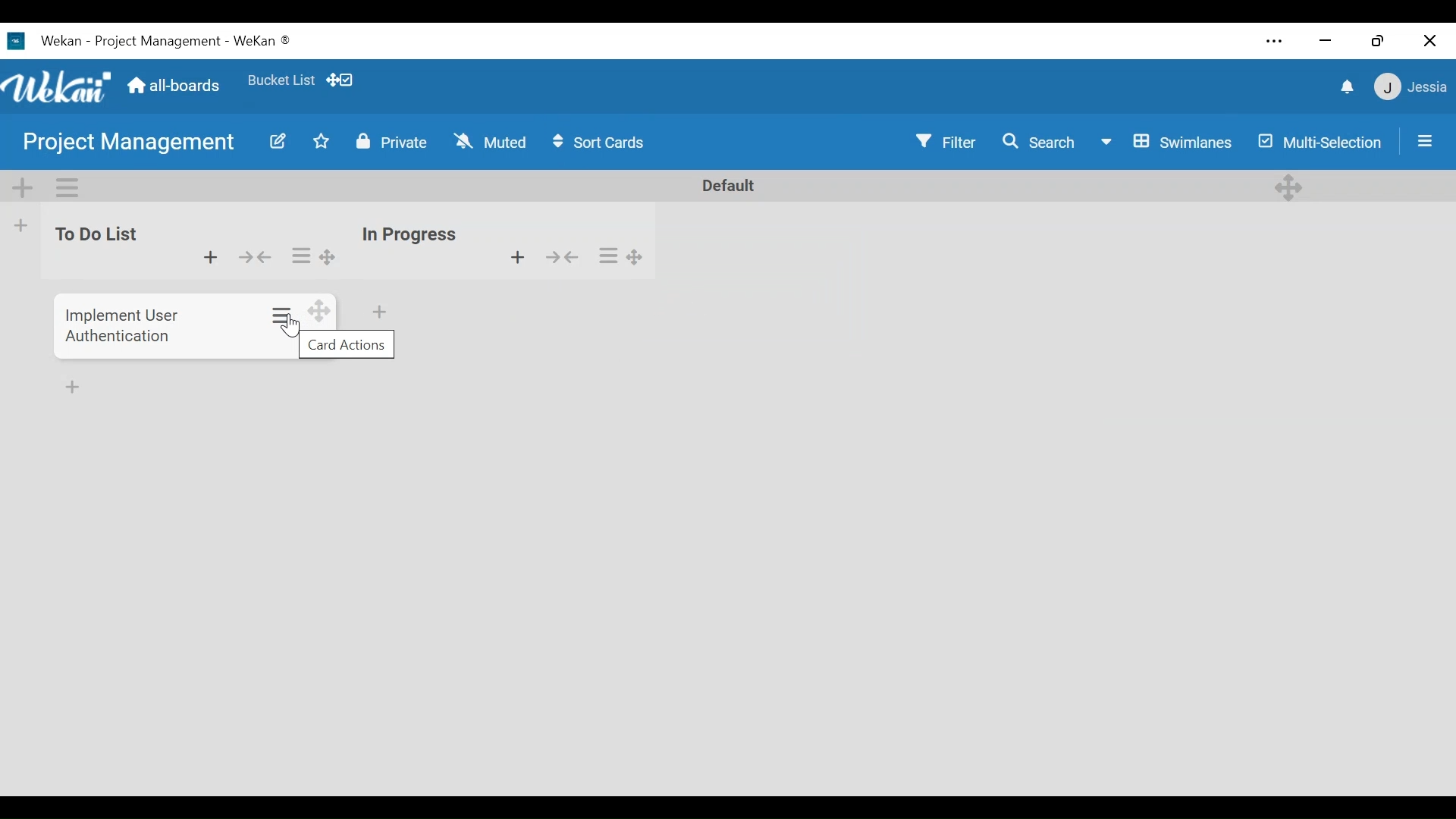 The image size is (1456, 819). Describe the element at coordinates (1319, 141) in the screenshot. I see `Multi-Selection` at that location.